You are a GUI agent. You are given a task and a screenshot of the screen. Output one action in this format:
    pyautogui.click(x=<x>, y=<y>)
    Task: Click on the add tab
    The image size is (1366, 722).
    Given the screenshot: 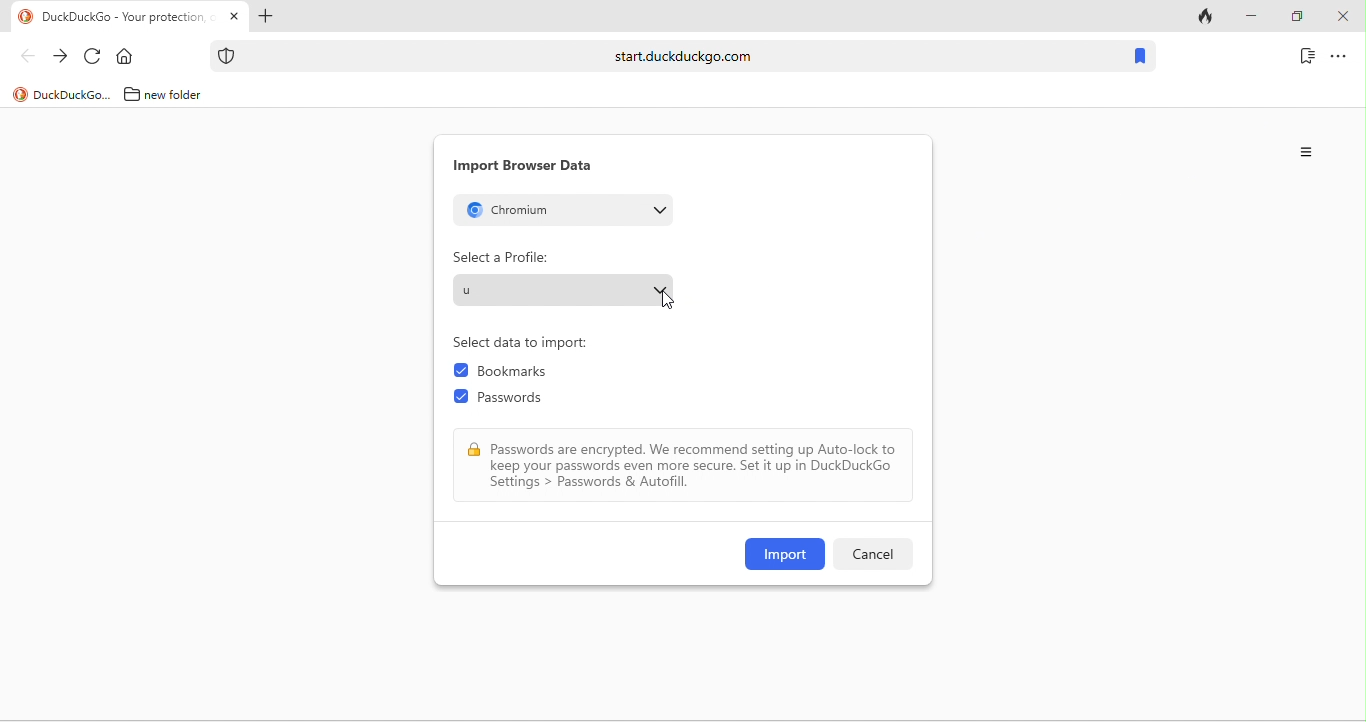 What is the action you would take?
    pyautogui.click(x=264, y=18)
    